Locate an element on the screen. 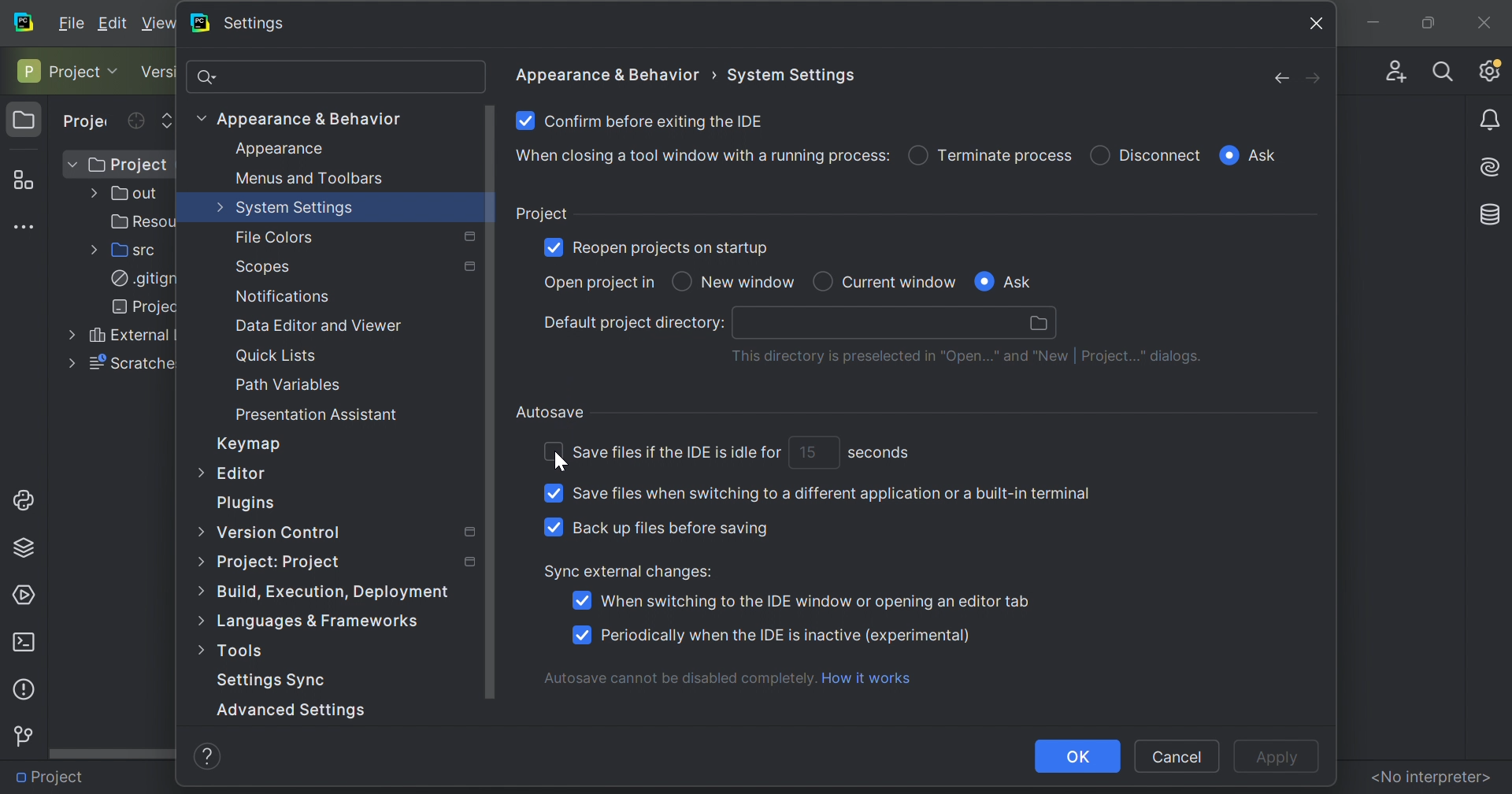 The image size is (1512, 794). Apply is located at coordinates (1272, 758).